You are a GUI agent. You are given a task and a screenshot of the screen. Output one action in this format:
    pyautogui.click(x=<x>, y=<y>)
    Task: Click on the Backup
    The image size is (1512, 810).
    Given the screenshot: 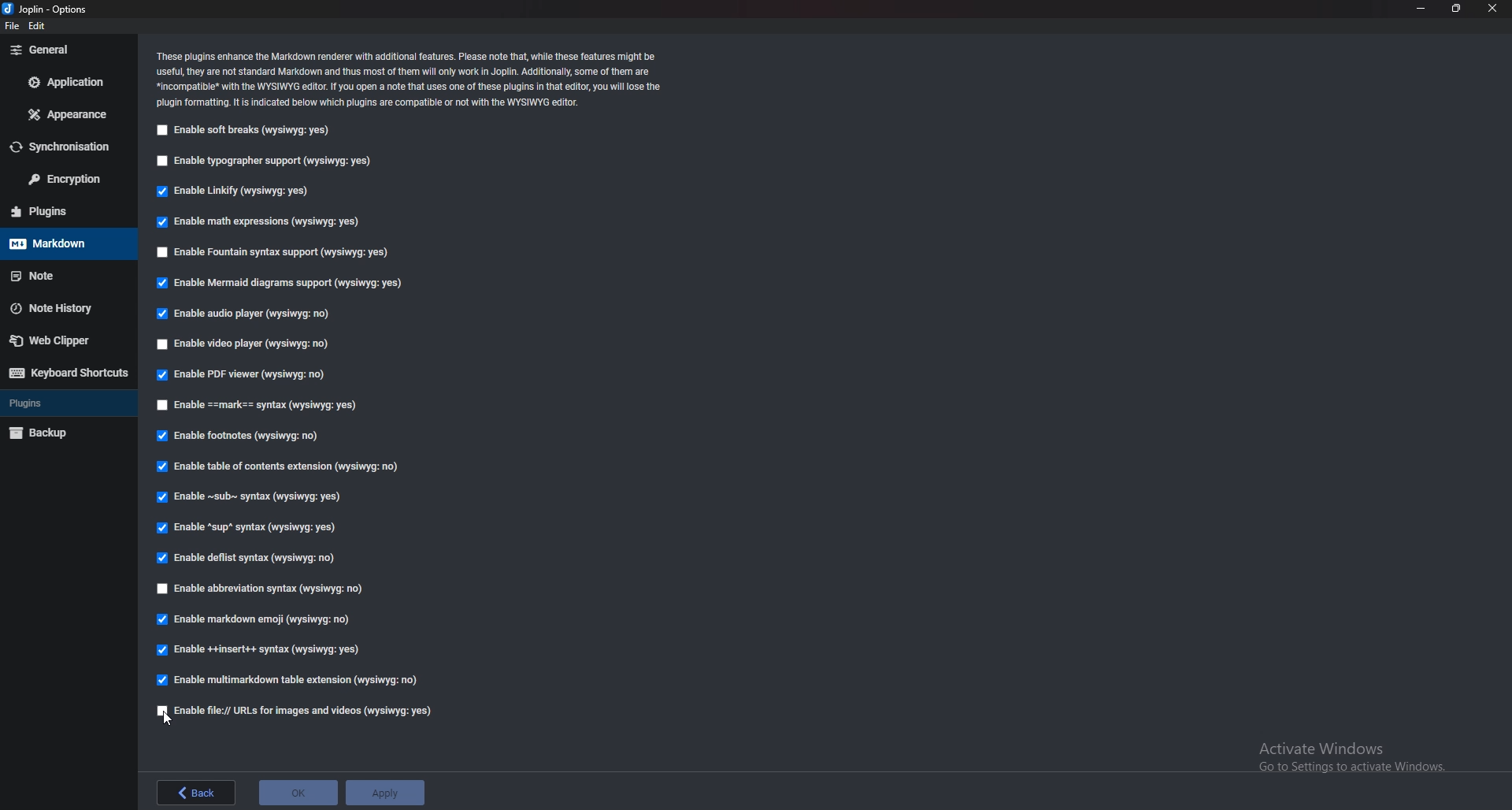 What is the action you would take?
    pyautogui.click(x=57, y=434)
    